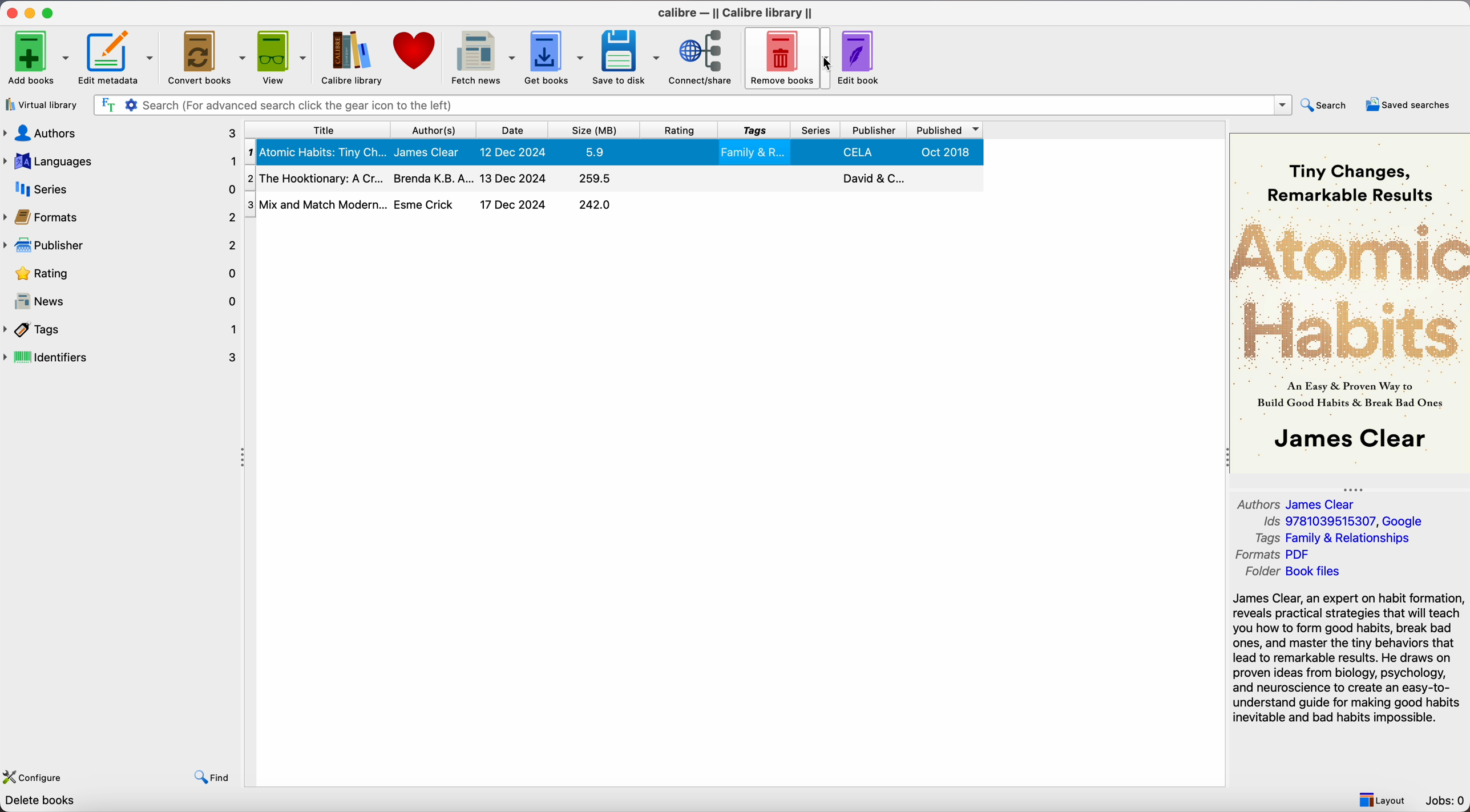  I want to click on add books, so click(37, 58).